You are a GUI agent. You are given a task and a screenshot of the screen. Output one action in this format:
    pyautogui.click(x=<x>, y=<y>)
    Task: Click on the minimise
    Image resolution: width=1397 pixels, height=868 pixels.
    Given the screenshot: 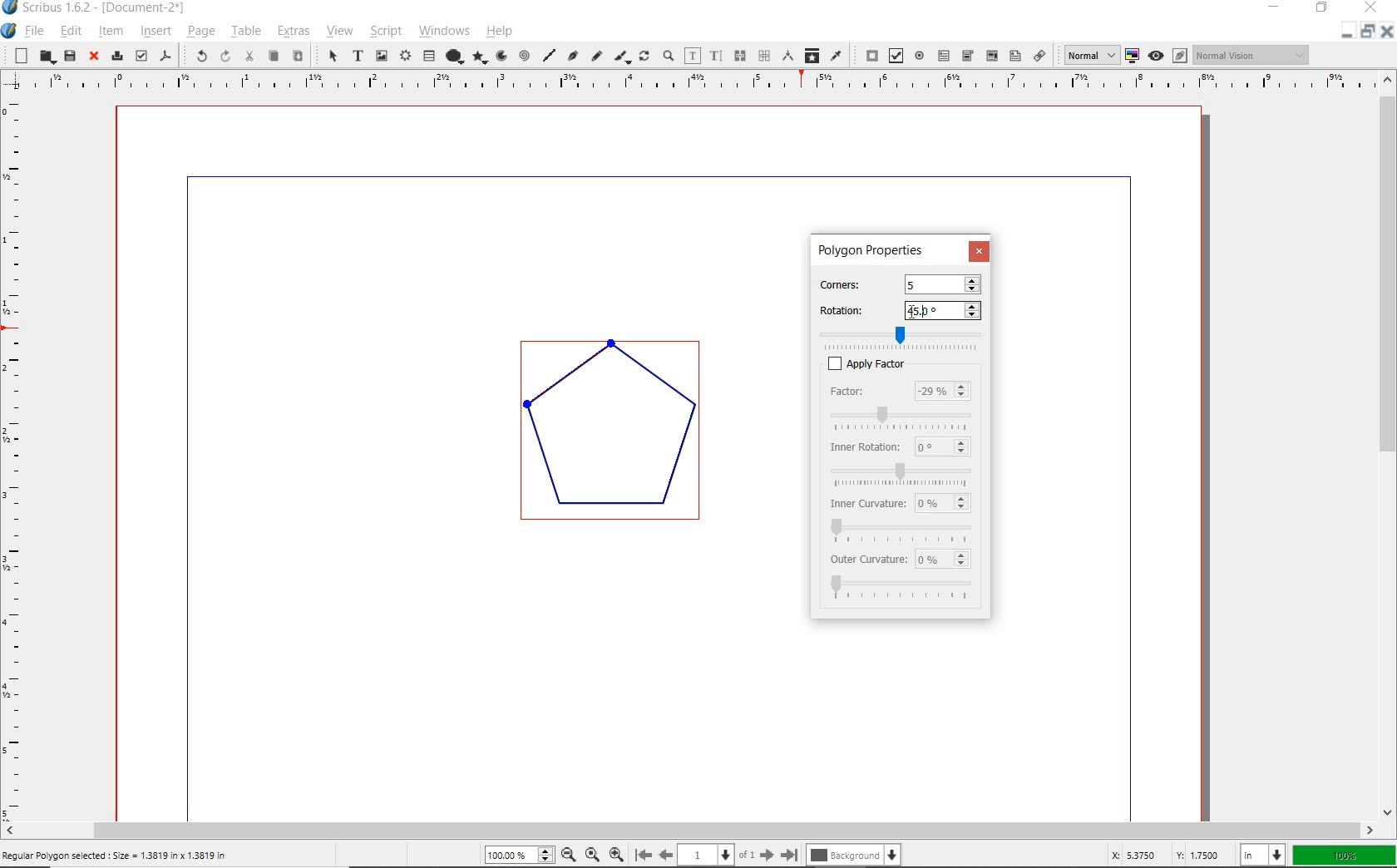 What is the action you would take?
    pyautogui.click(x=1343, y=32)
    